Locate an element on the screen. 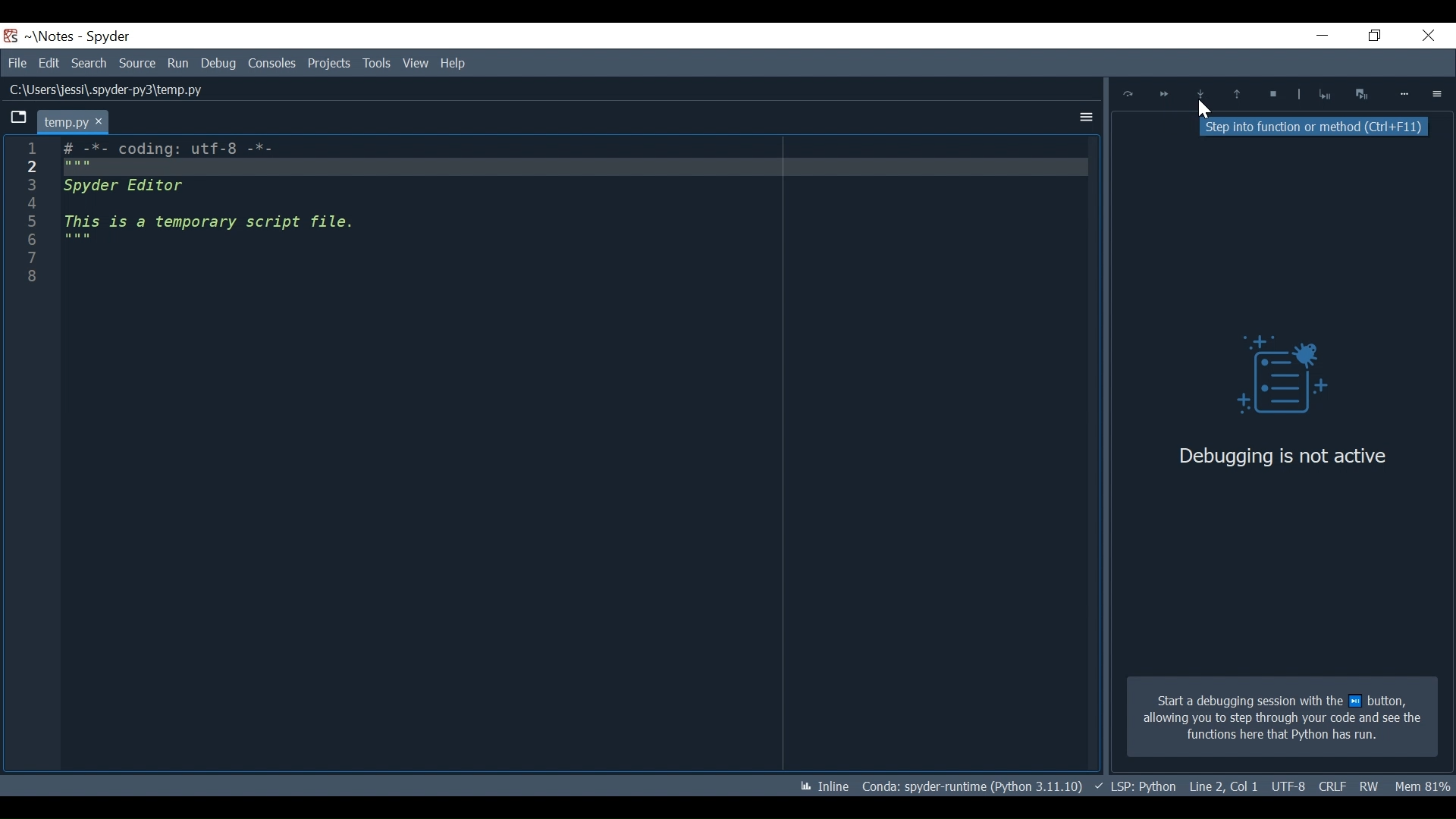 The height and width of the screenshot is (819, 1456). Source is located at coordinates (138, 64).